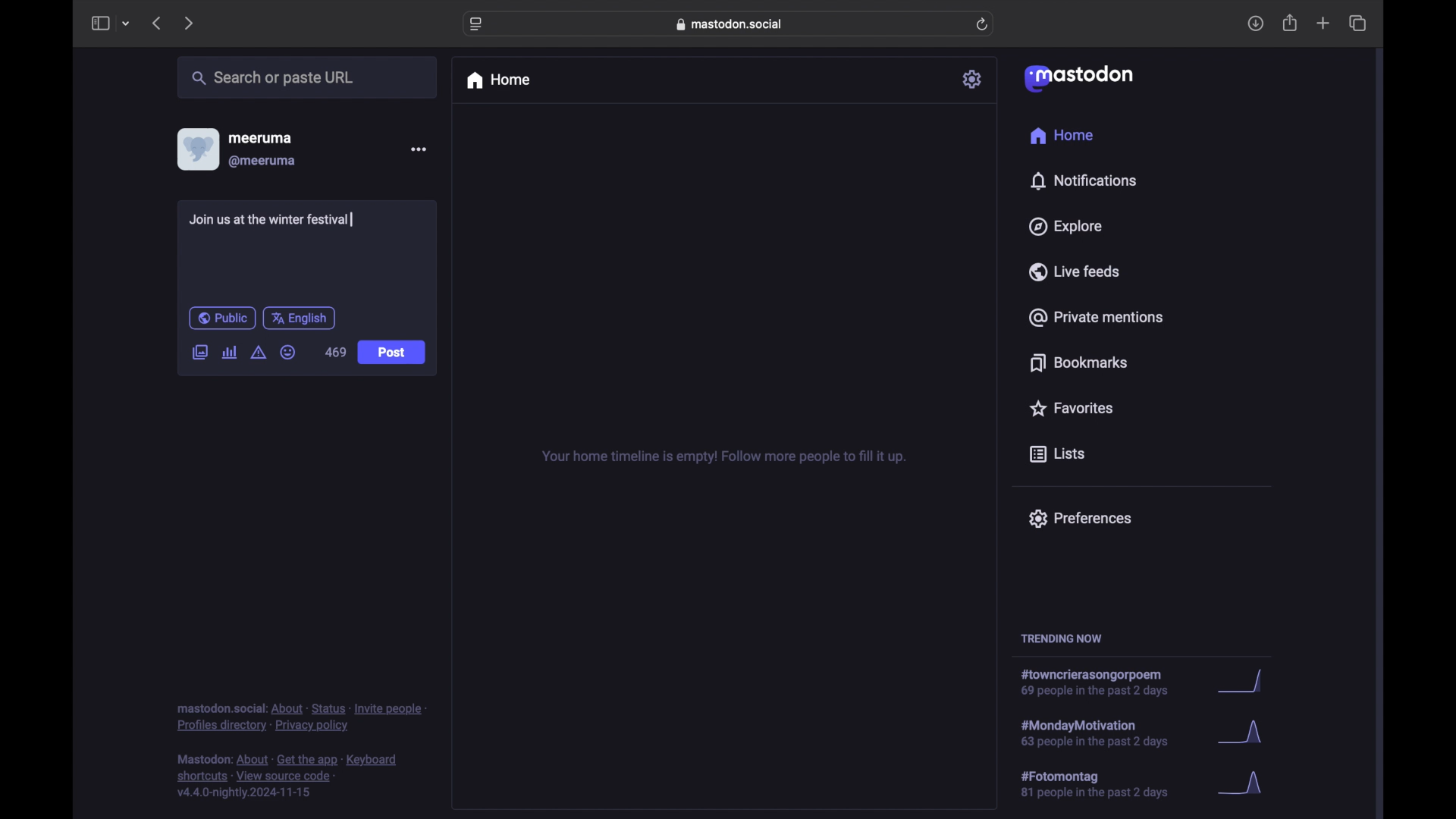 The width and height of the screenshot is (1456, 819). Describe the element at coordinates (1244, 736) in the screenshot. I see `graph` at that location.